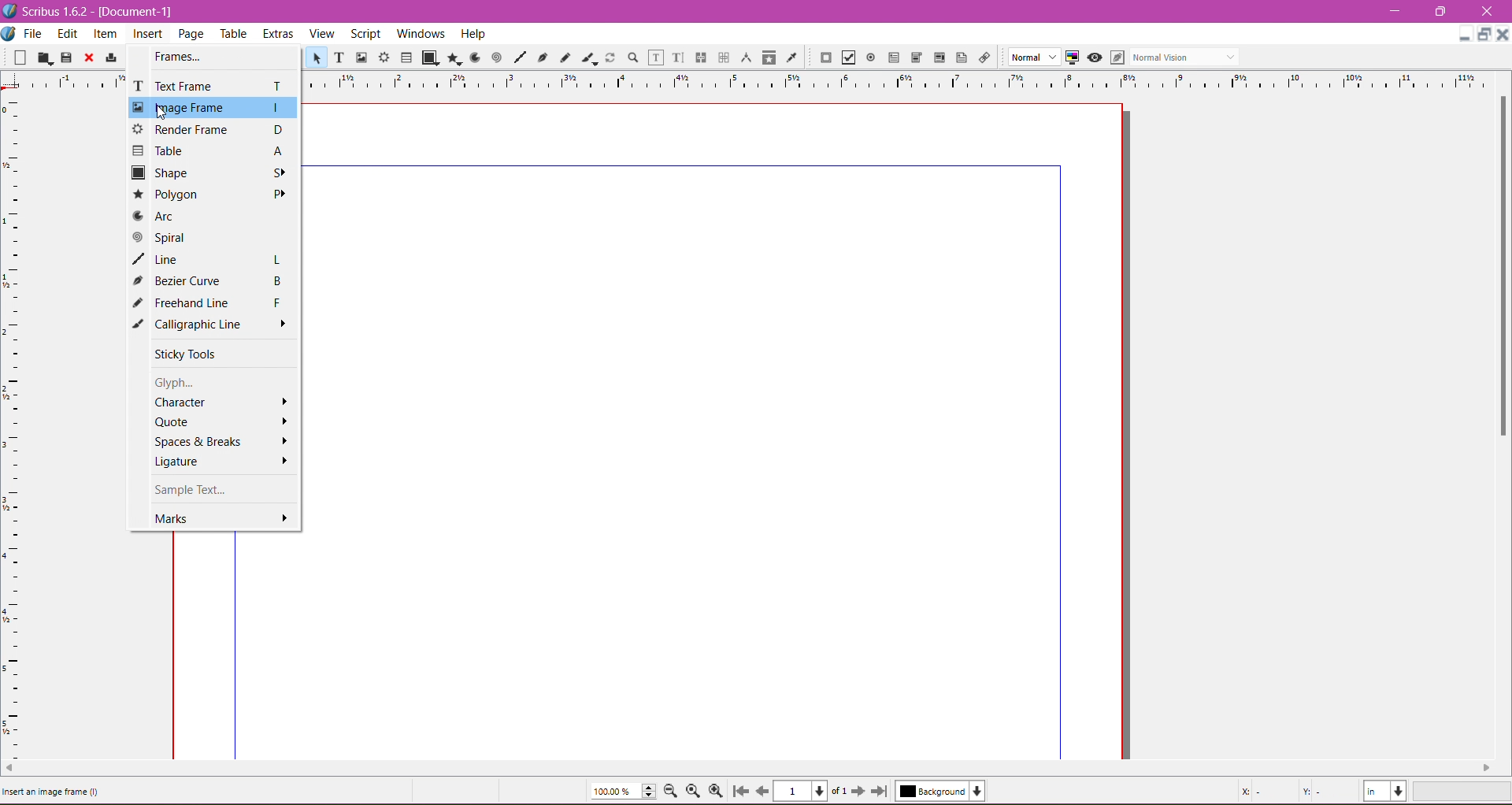 This screenshot has height=805, width=1512. Describe the element at coordinates (339, 59) in the screenshot. I see `Text Frame` at that location.